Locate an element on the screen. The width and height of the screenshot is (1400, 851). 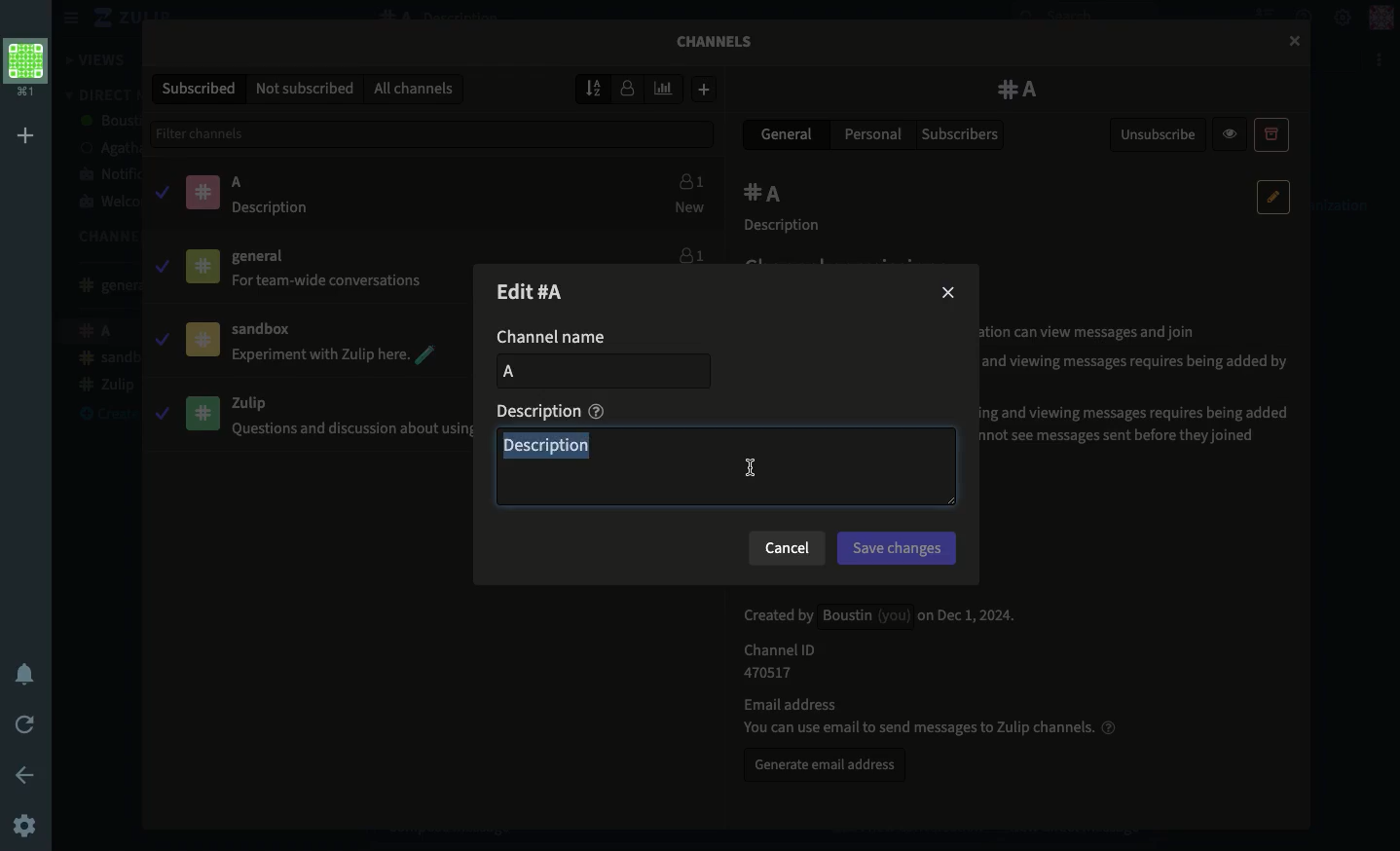
A is located at coordinates (248, 194).